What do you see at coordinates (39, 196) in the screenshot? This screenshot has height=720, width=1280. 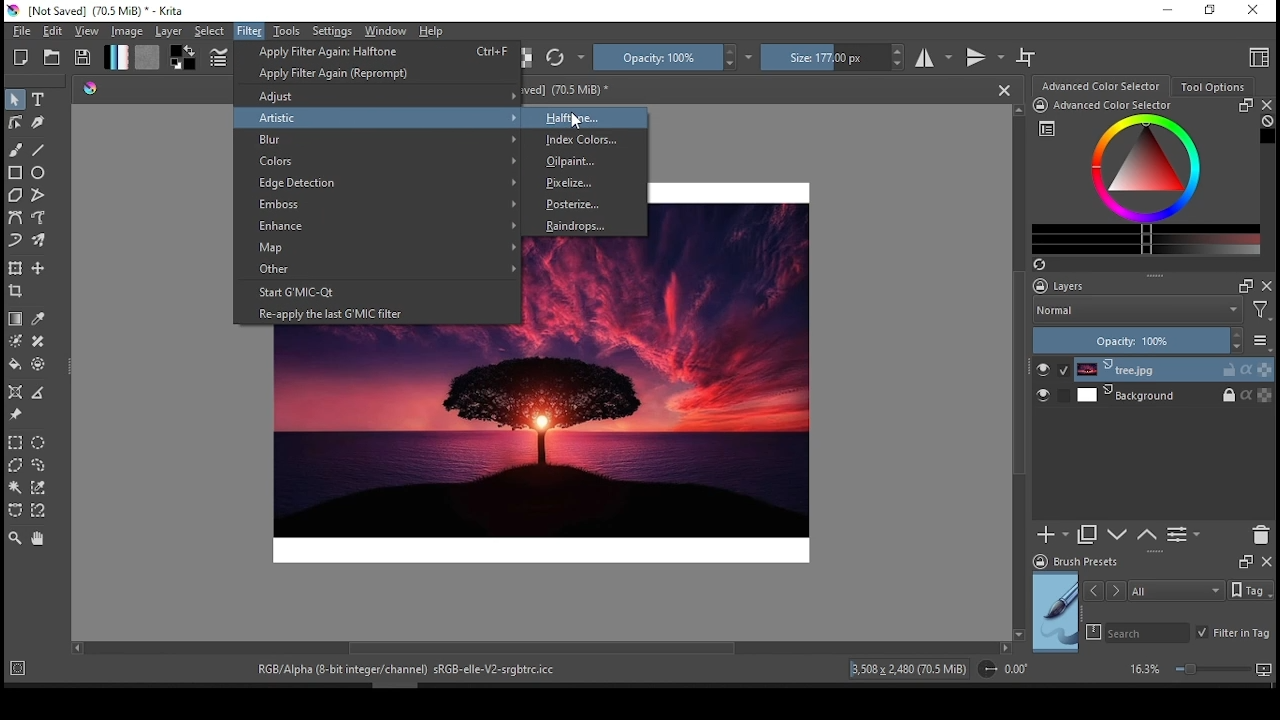 I see `polyline tool` at bounding box center [39, 196].